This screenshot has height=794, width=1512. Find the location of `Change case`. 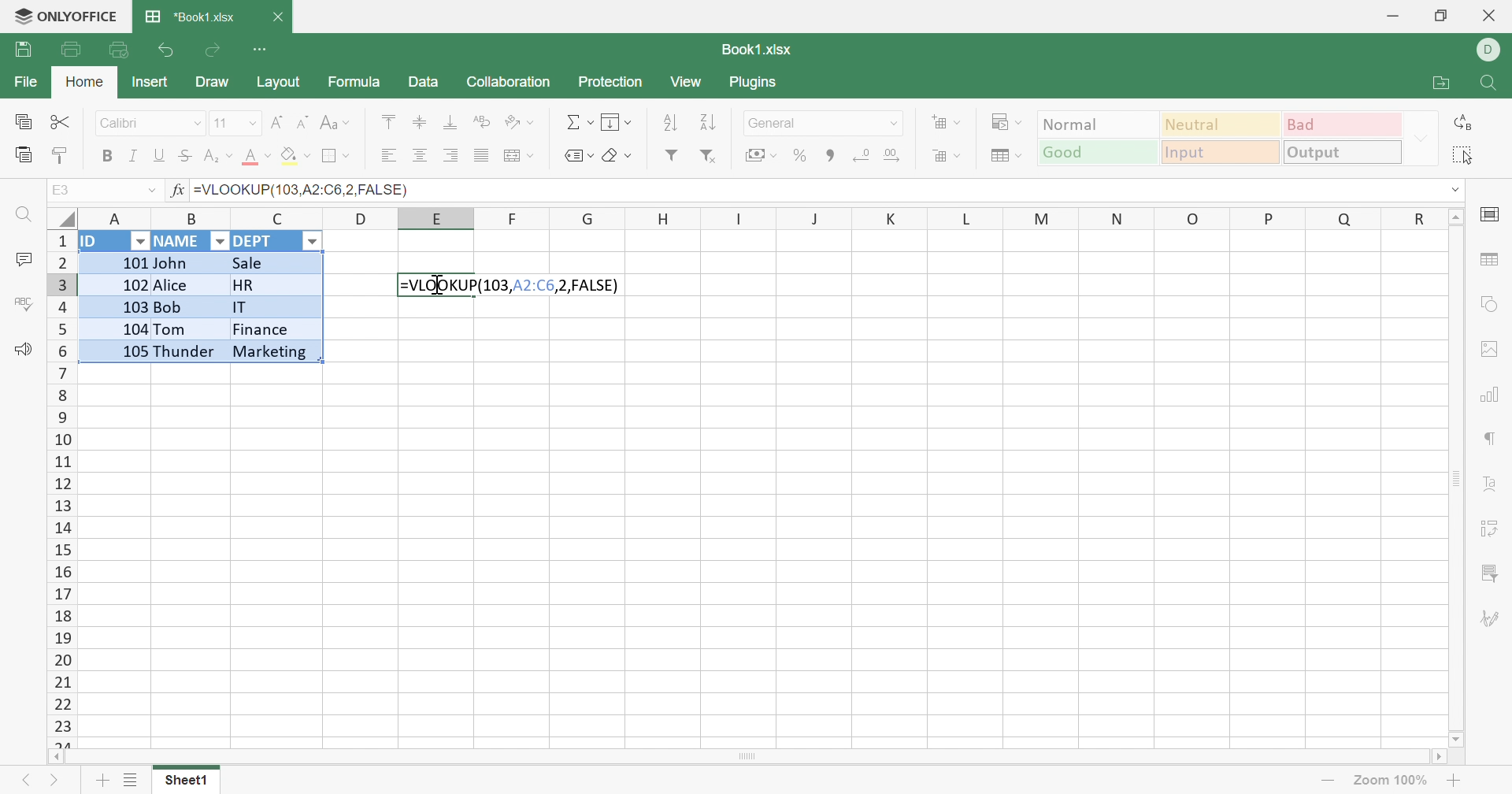

Change case is located at coordinates (333, 123).